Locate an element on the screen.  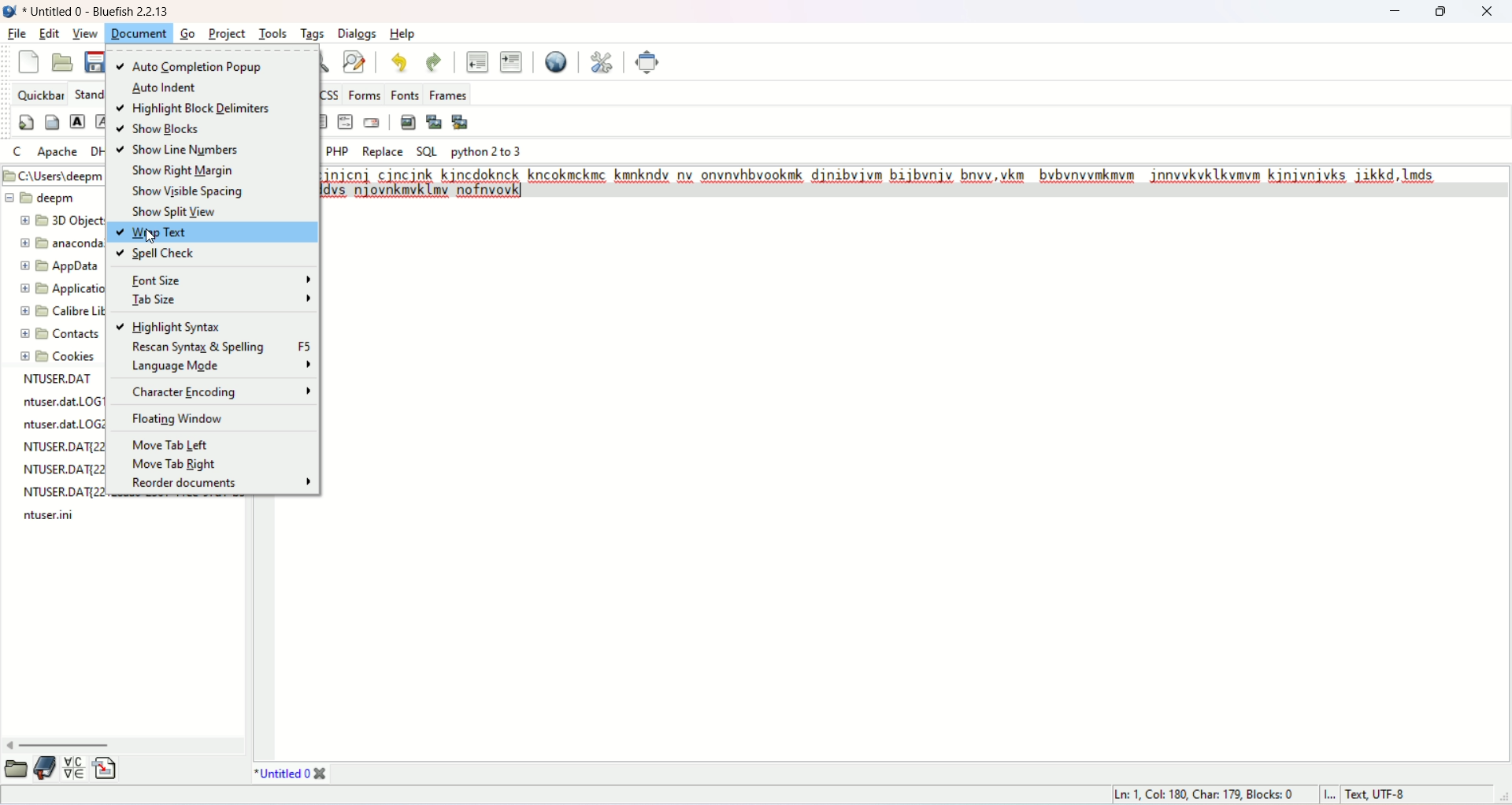
application is located at coordinates (59, 288).